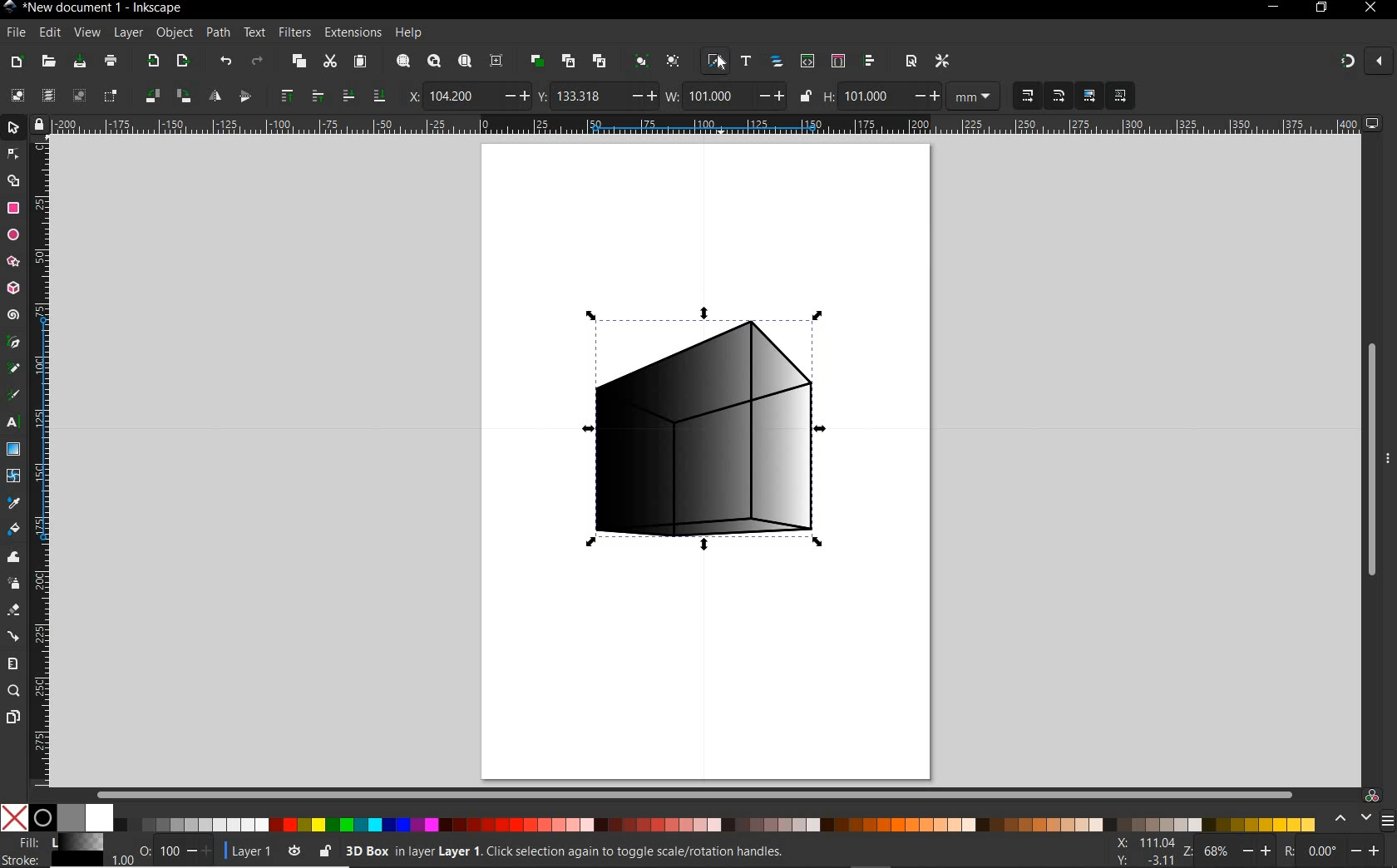 The height and width of the screenshot is (868, 1397). Describe the element at coordinates (262, 60) in the screenshot. I see `REDO` at that location.